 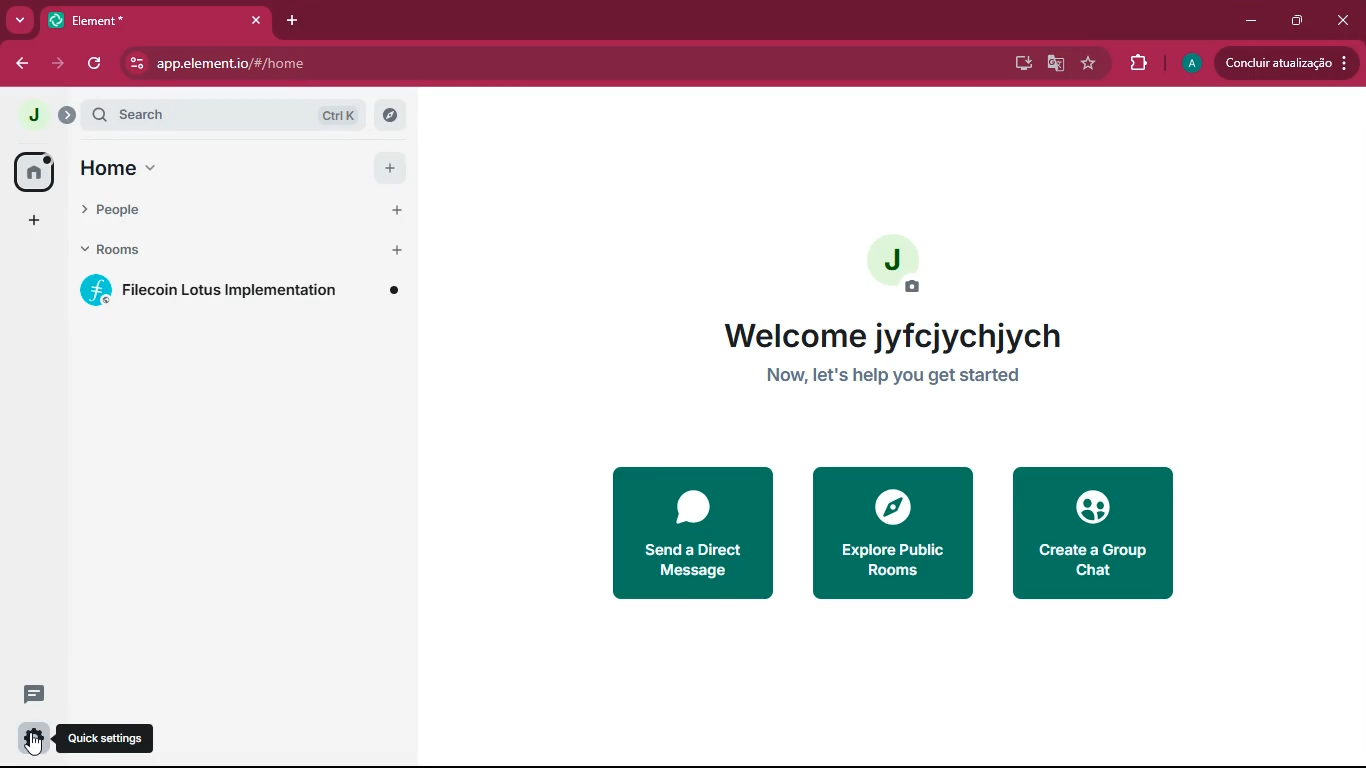 I want to click on cursor, so click(x=34, y=745).